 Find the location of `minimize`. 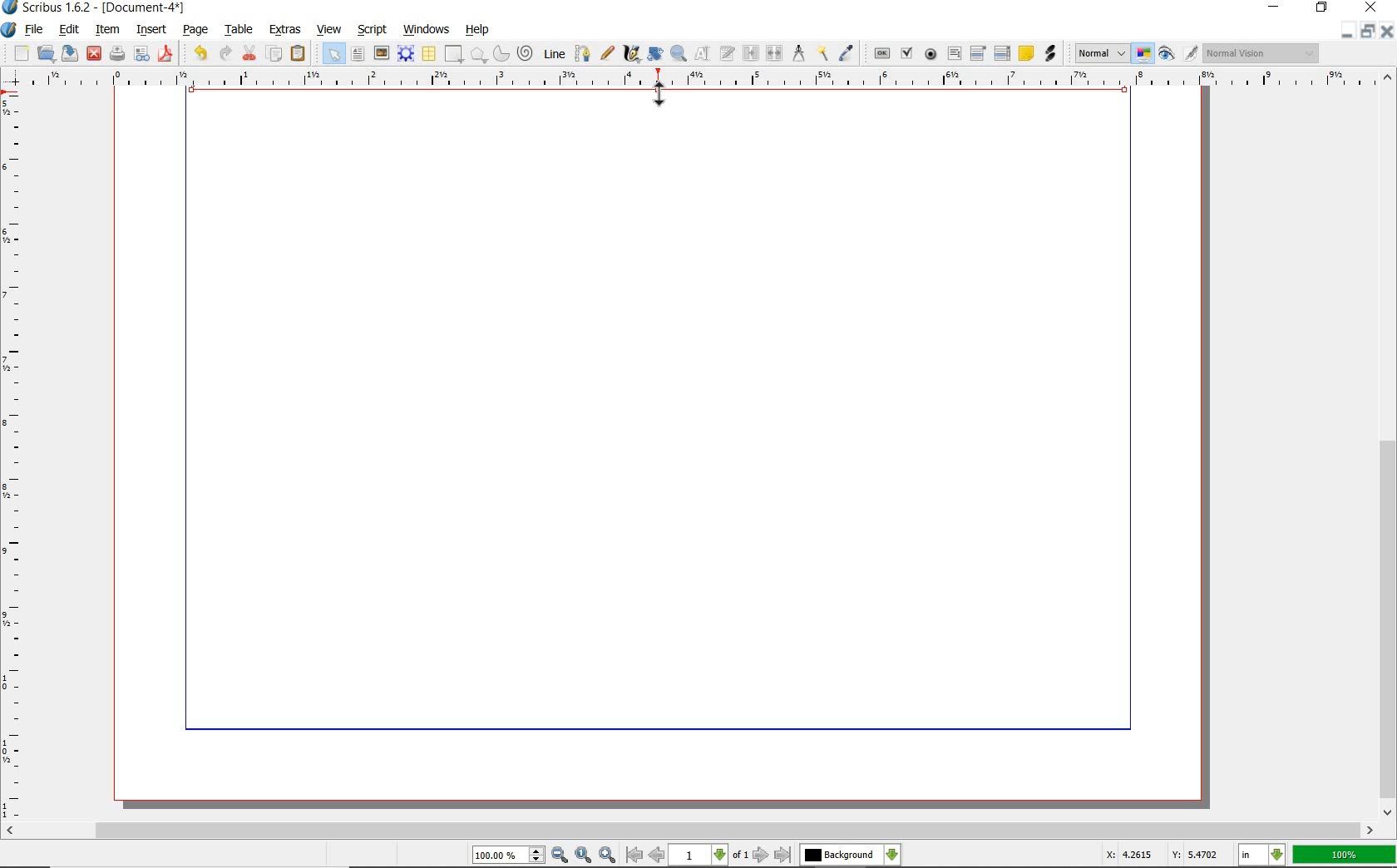

minimize is located at coordinates (1275, 7).